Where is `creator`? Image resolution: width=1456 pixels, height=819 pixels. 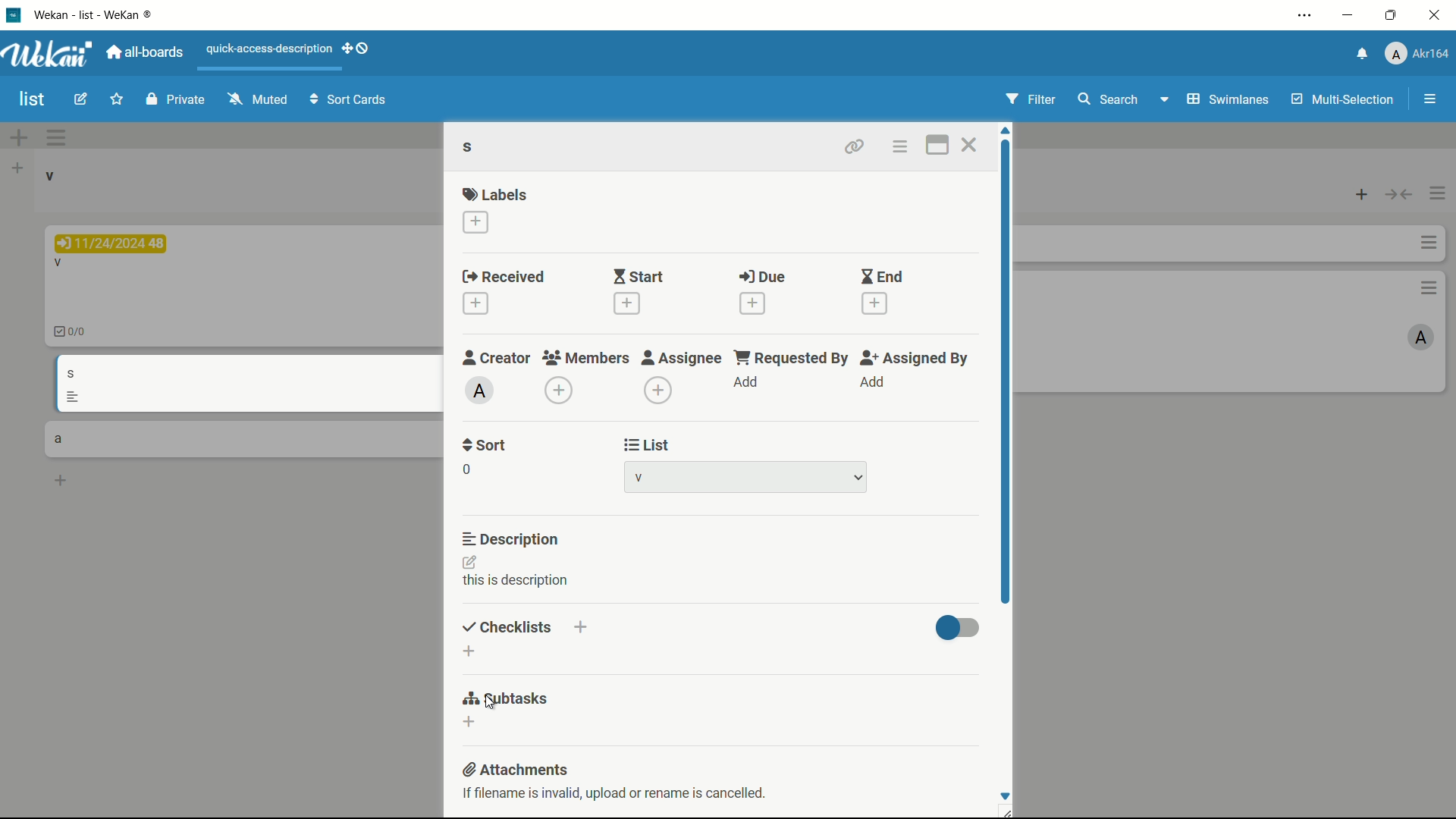
creator is located at coordinates (497, 358).